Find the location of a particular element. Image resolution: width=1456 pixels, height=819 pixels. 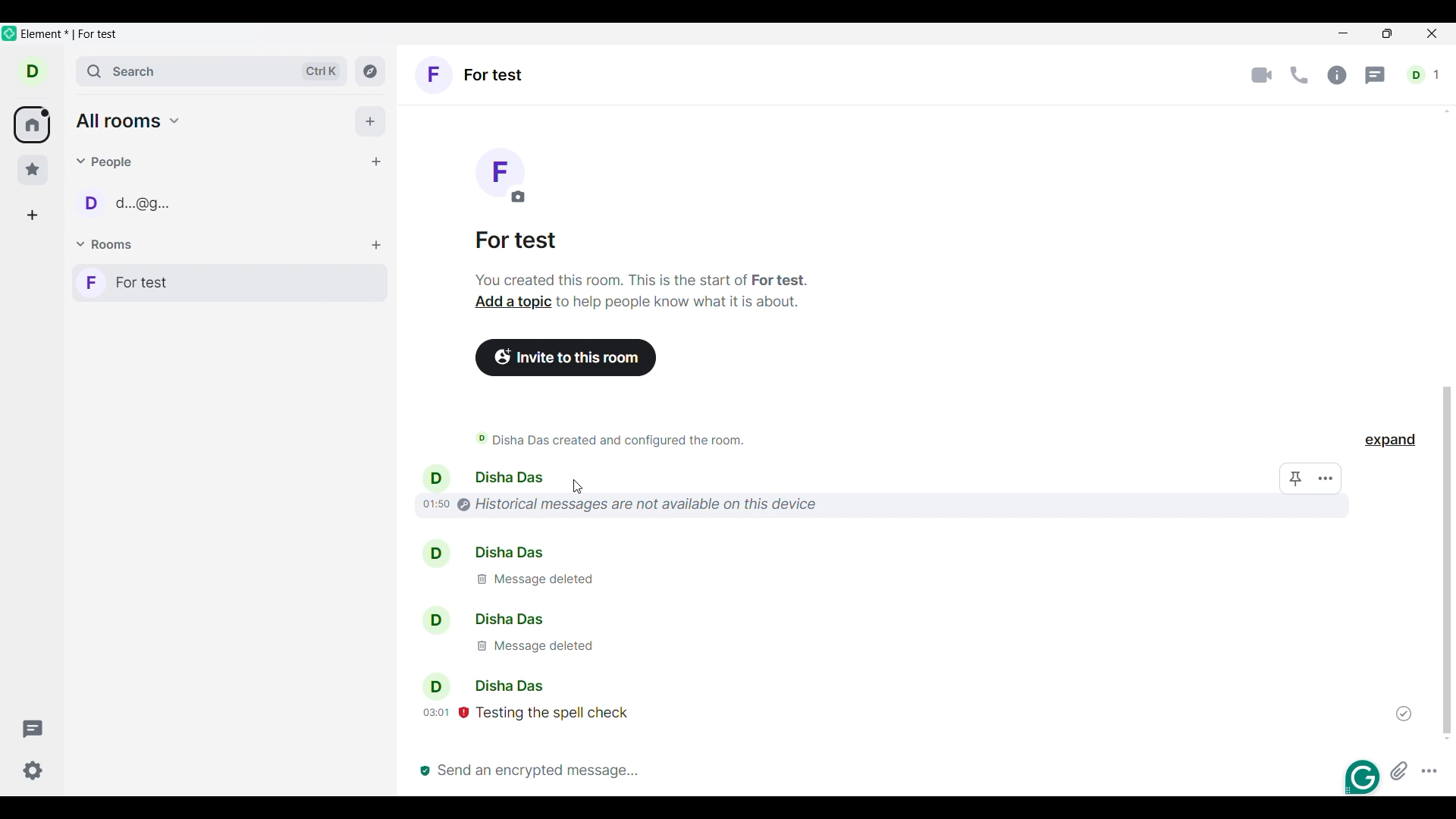

add a topic is located at coordinates (512, 303).